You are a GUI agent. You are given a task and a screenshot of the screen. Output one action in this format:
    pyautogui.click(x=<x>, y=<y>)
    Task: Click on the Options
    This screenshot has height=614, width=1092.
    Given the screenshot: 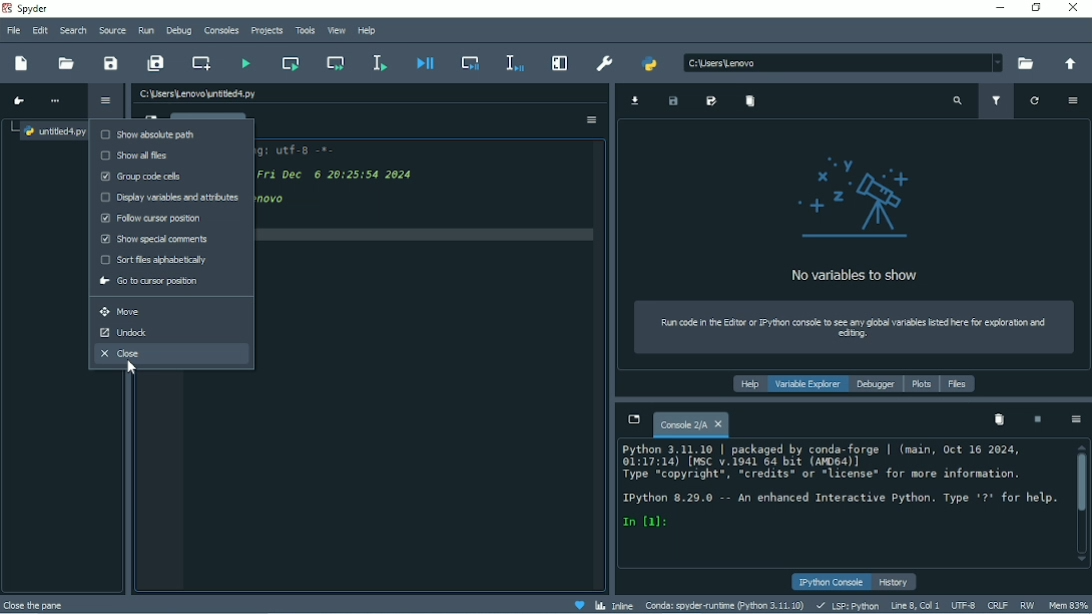 What is the action you would take?
    pyautogui.click(x=1071, y=100)
    